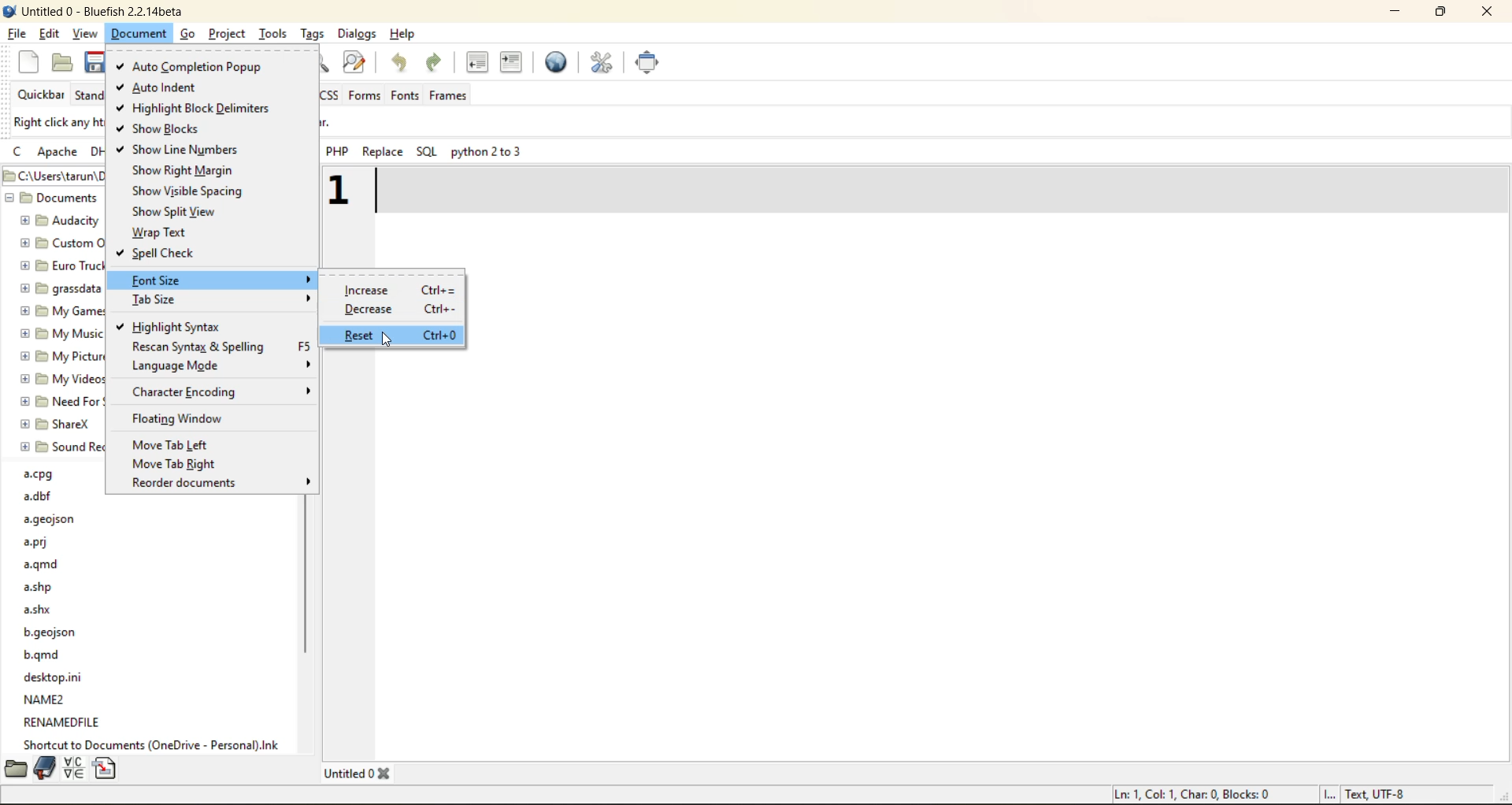 This screenshot has height=805, width=1512. I want to click on edit, so click(50, 32).